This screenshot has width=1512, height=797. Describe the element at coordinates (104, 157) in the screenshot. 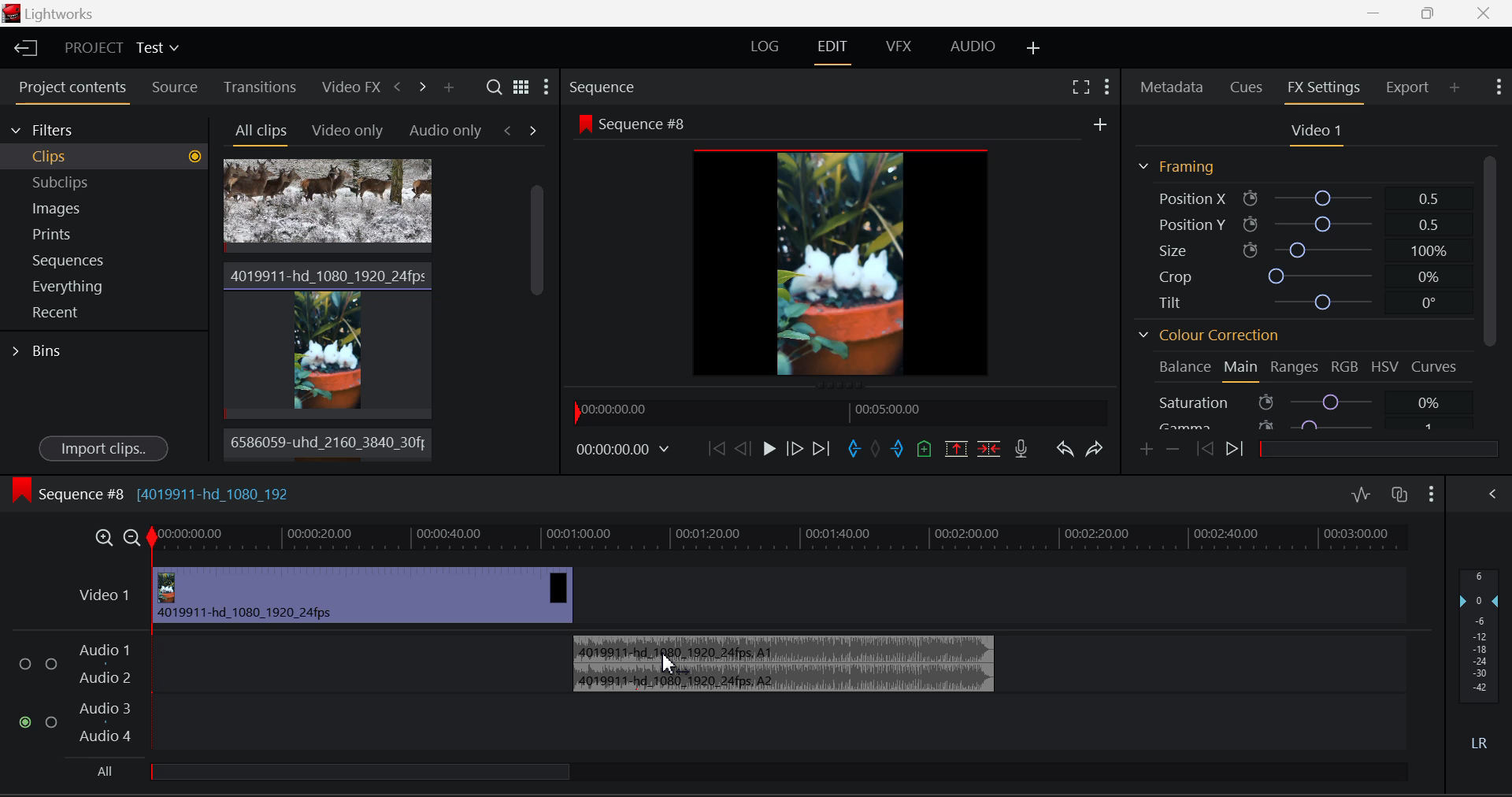

I see `Clips Open` at that location.